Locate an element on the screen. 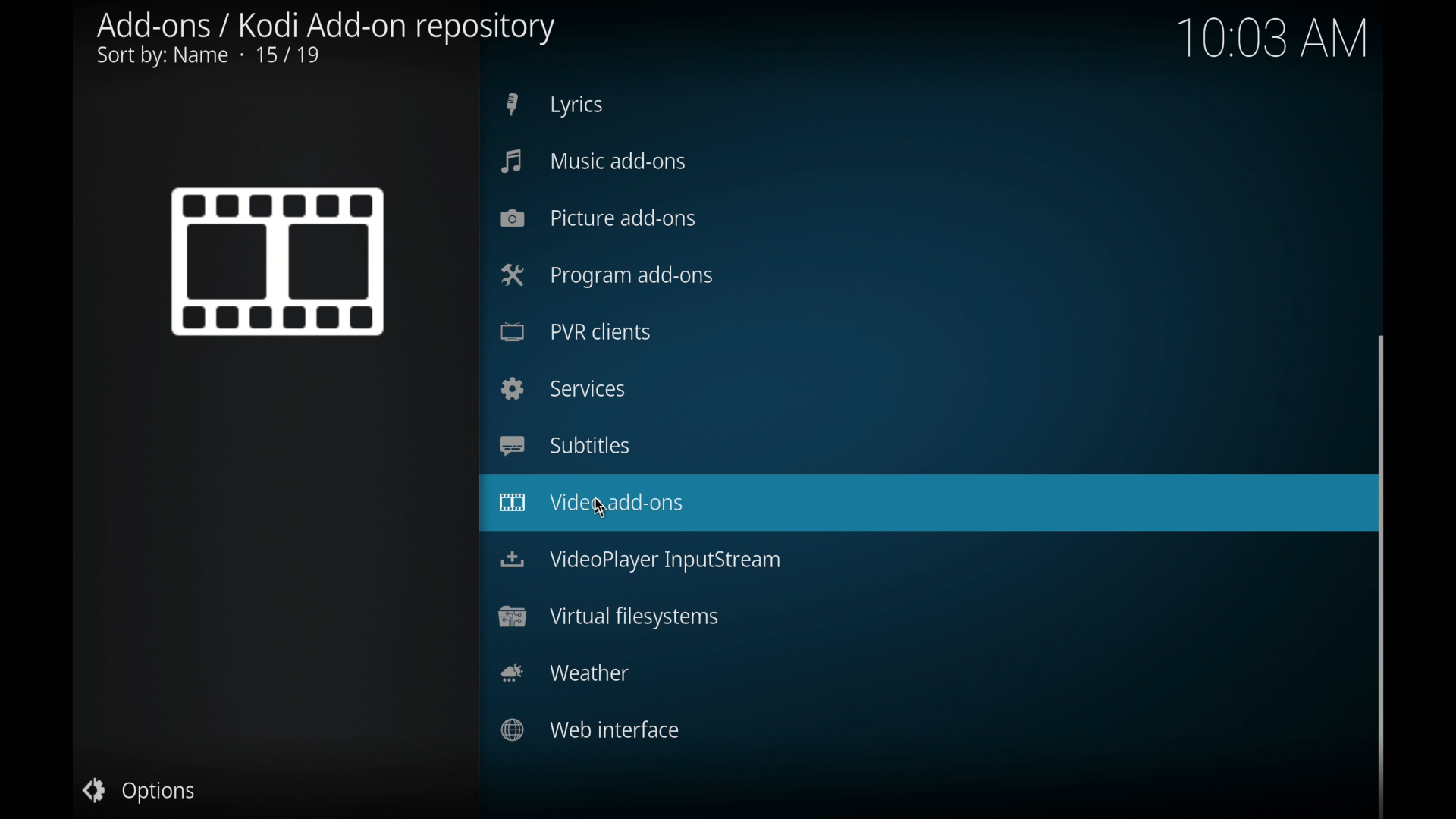  time is located at coordinates (1286, 42).